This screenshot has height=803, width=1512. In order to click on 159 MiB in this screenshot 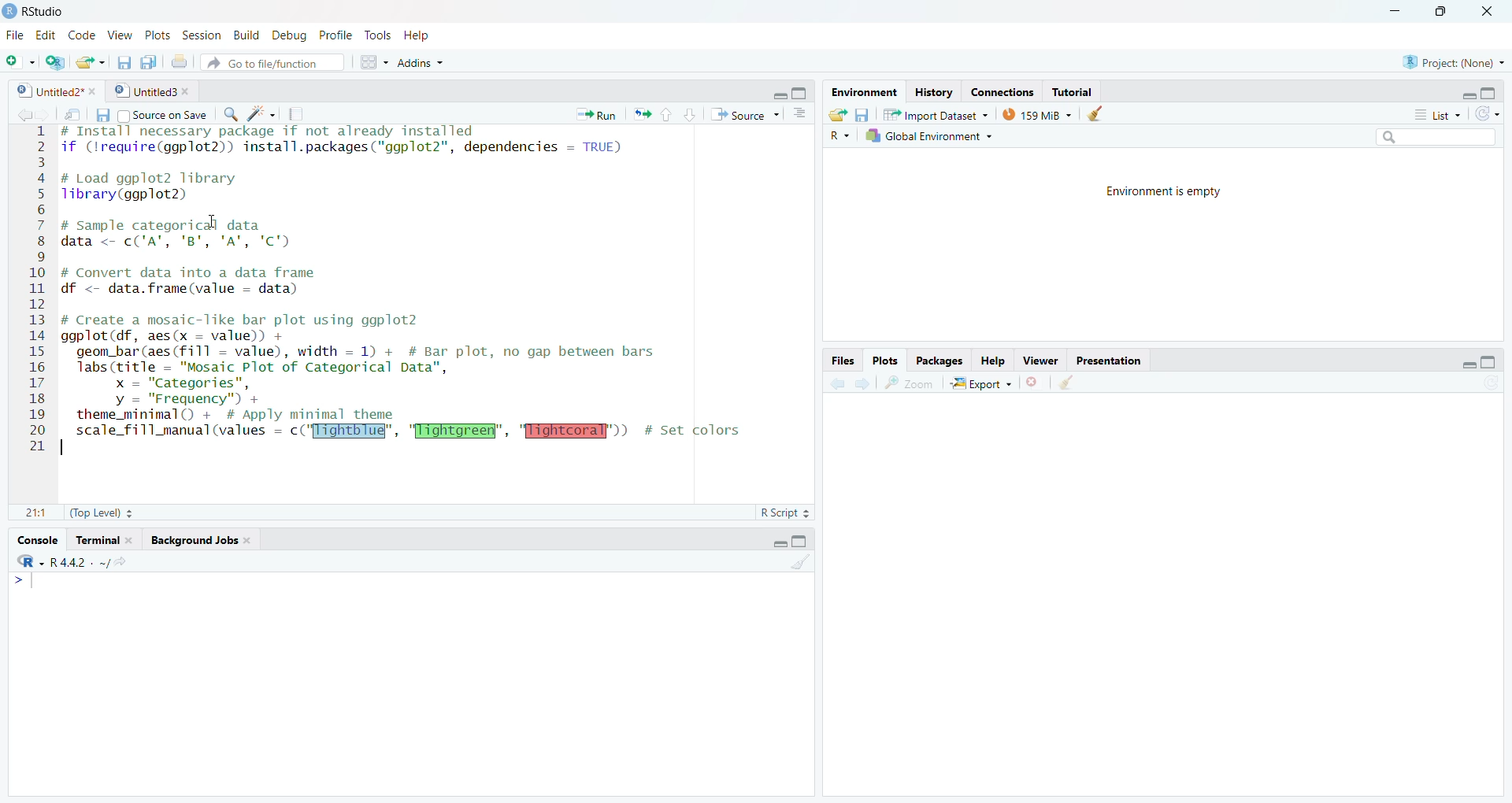, I will do `click(1039, 113)`.